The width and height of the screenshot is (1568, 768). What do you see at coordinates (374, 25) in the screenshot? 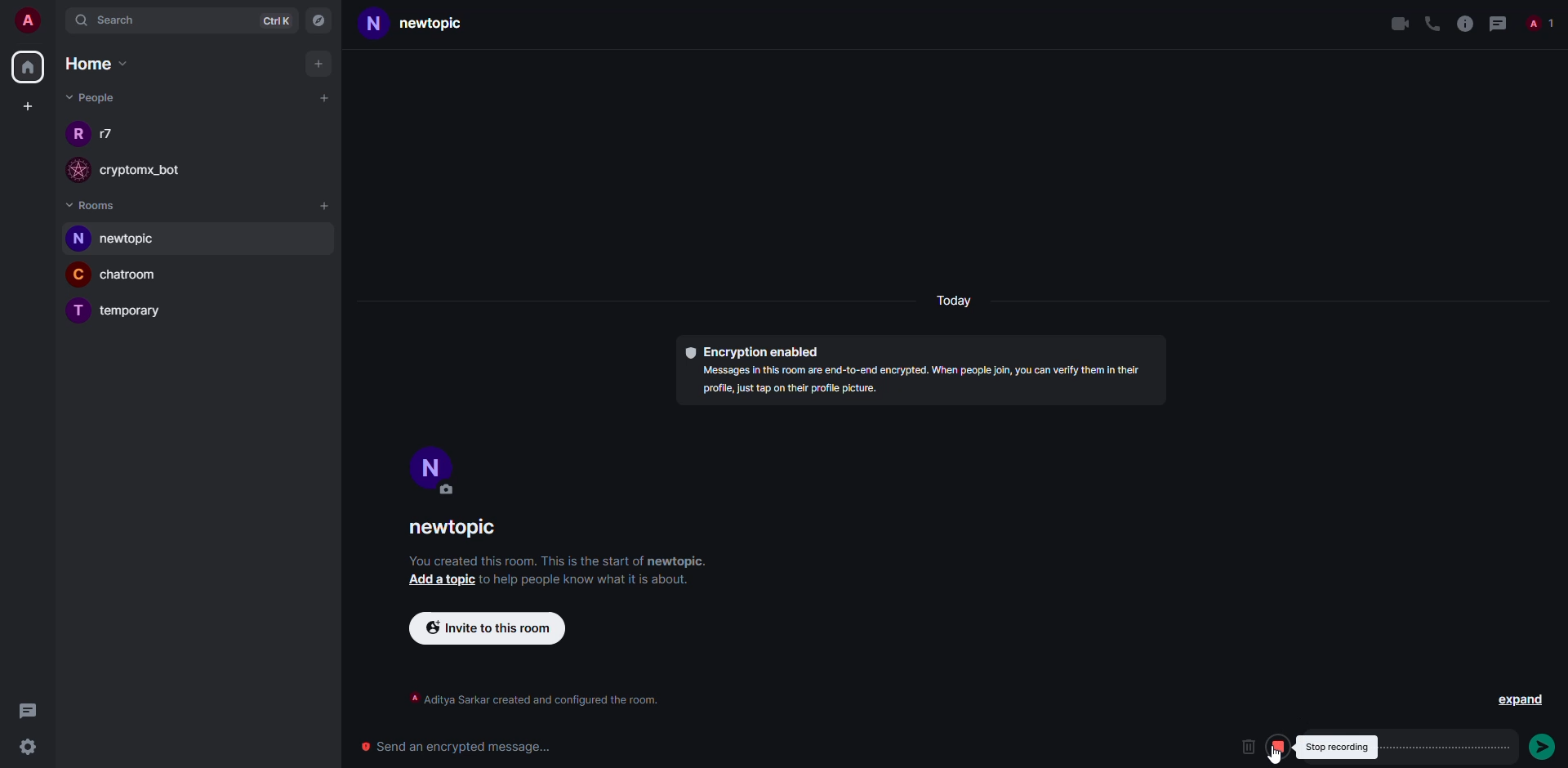
I see `N` at bounding box center [374, 25].